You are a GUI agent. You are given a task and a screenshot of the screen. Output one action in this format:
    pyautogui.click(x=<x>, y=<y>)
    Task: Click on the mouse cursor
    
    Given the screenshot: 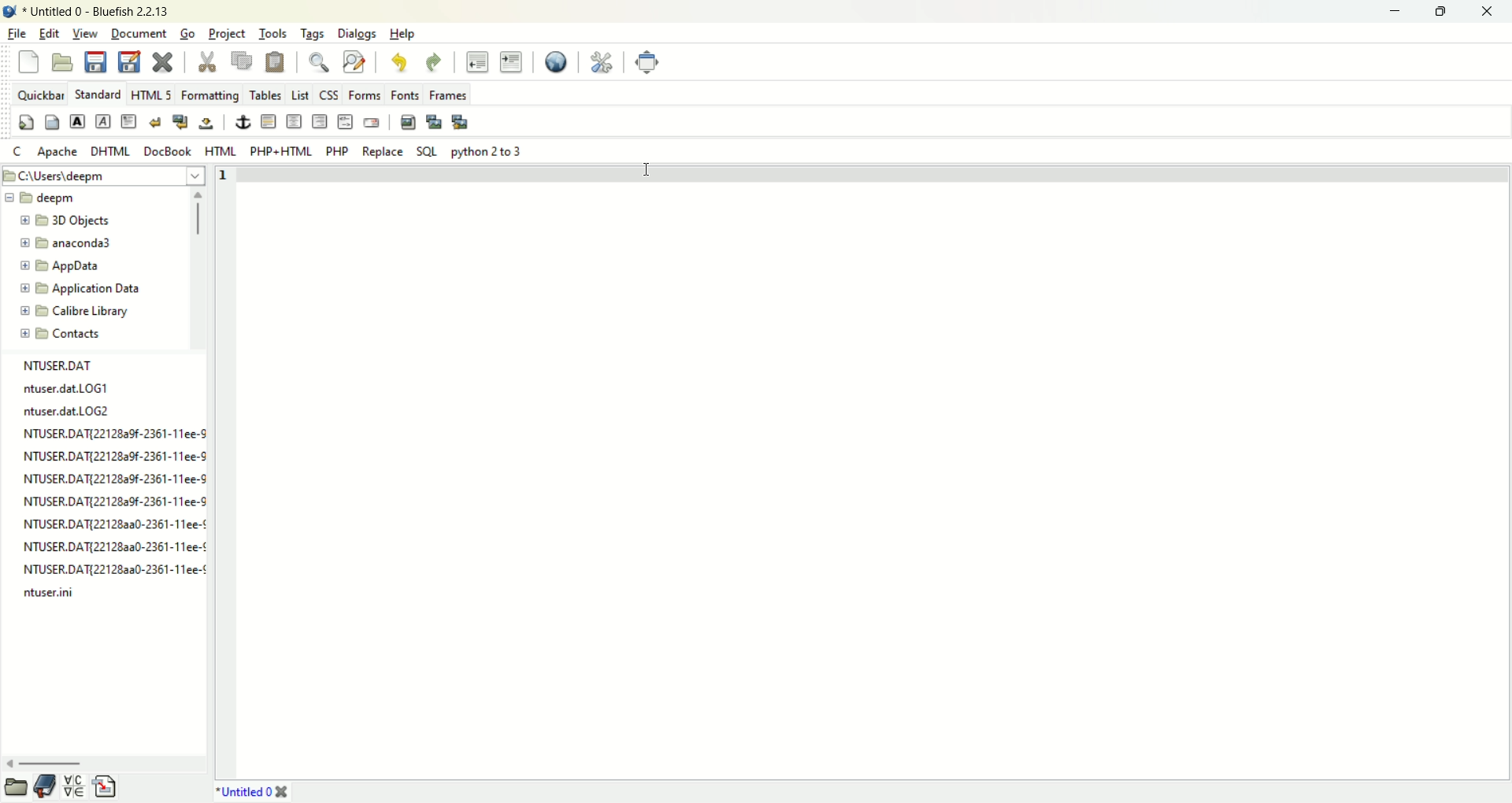 What is the action you would take?
    pyautogui.click(x=643, y=172)
    